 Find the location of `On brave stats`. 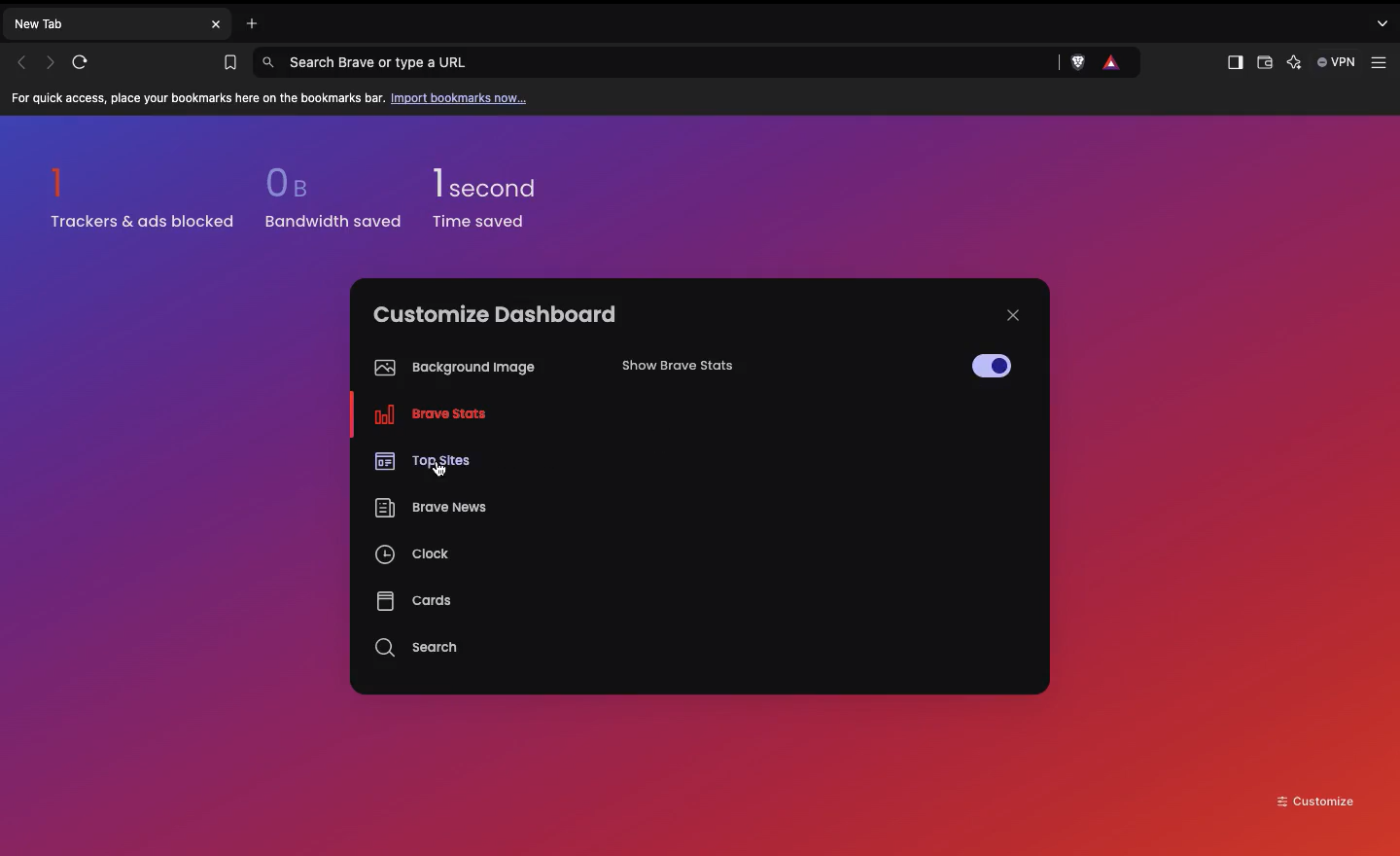

On brave stats is located at coordinates (425, 418).